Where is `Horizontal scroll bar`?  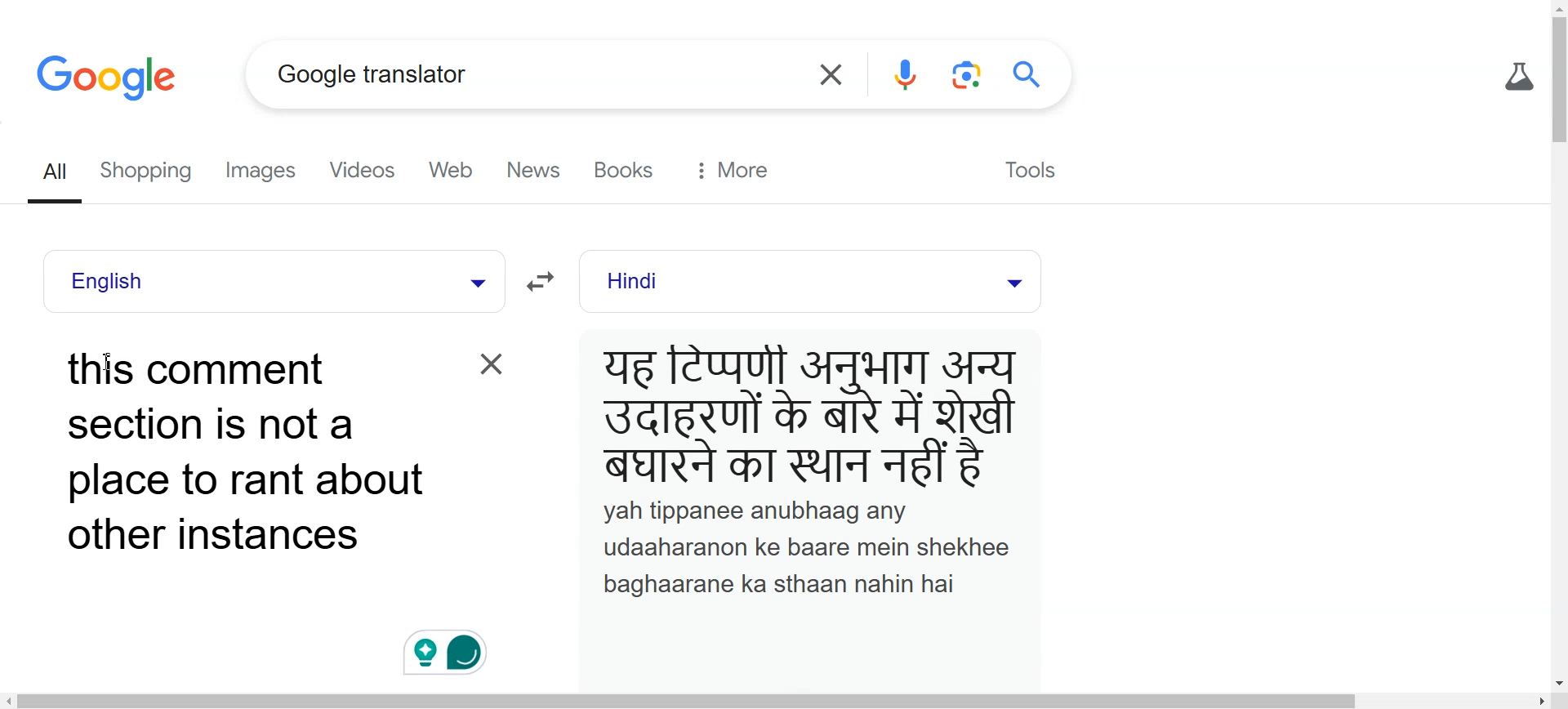 Horizontal scroll bar is located at coordinates (784, 700).